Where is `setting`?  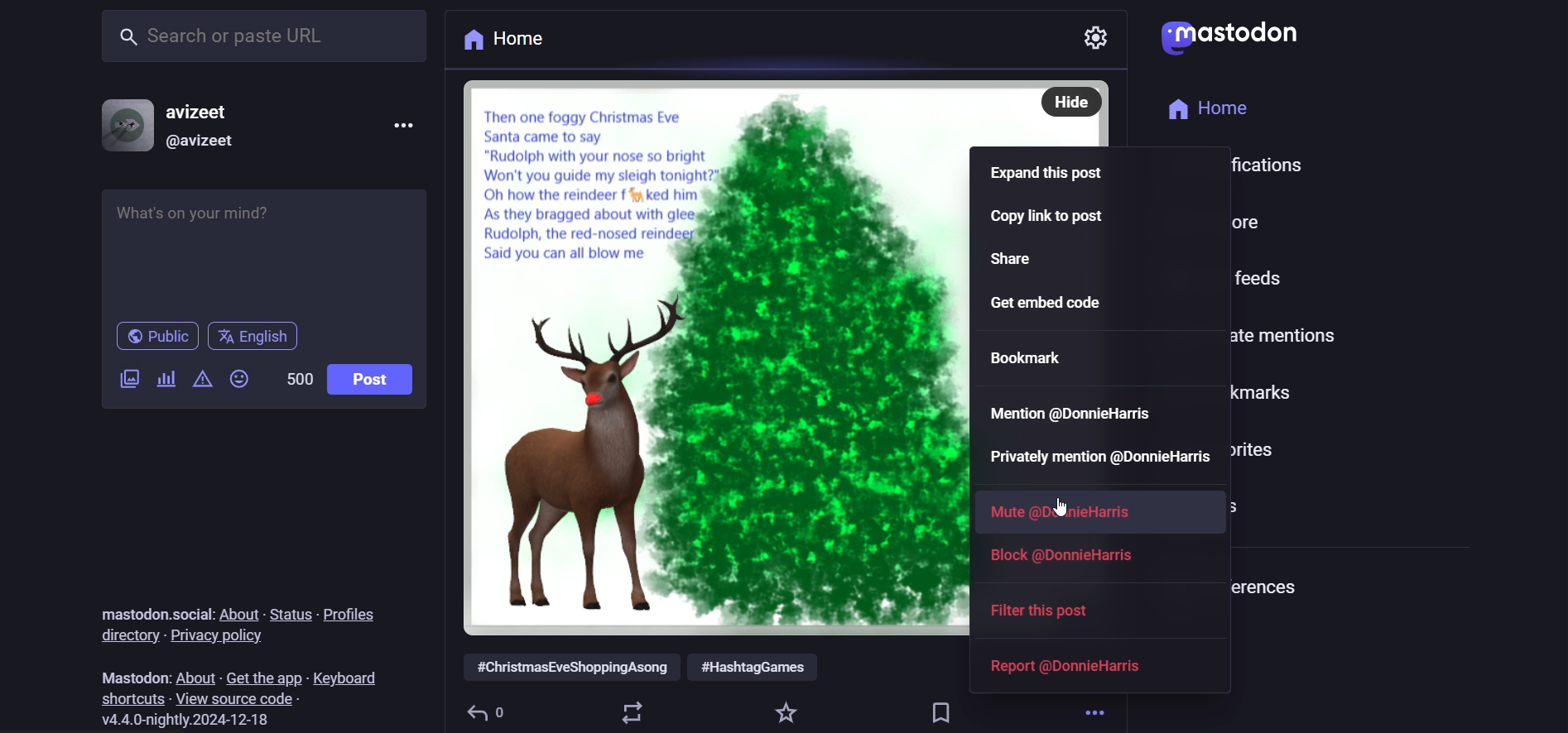 setting is located at coordinates (1100, 32).